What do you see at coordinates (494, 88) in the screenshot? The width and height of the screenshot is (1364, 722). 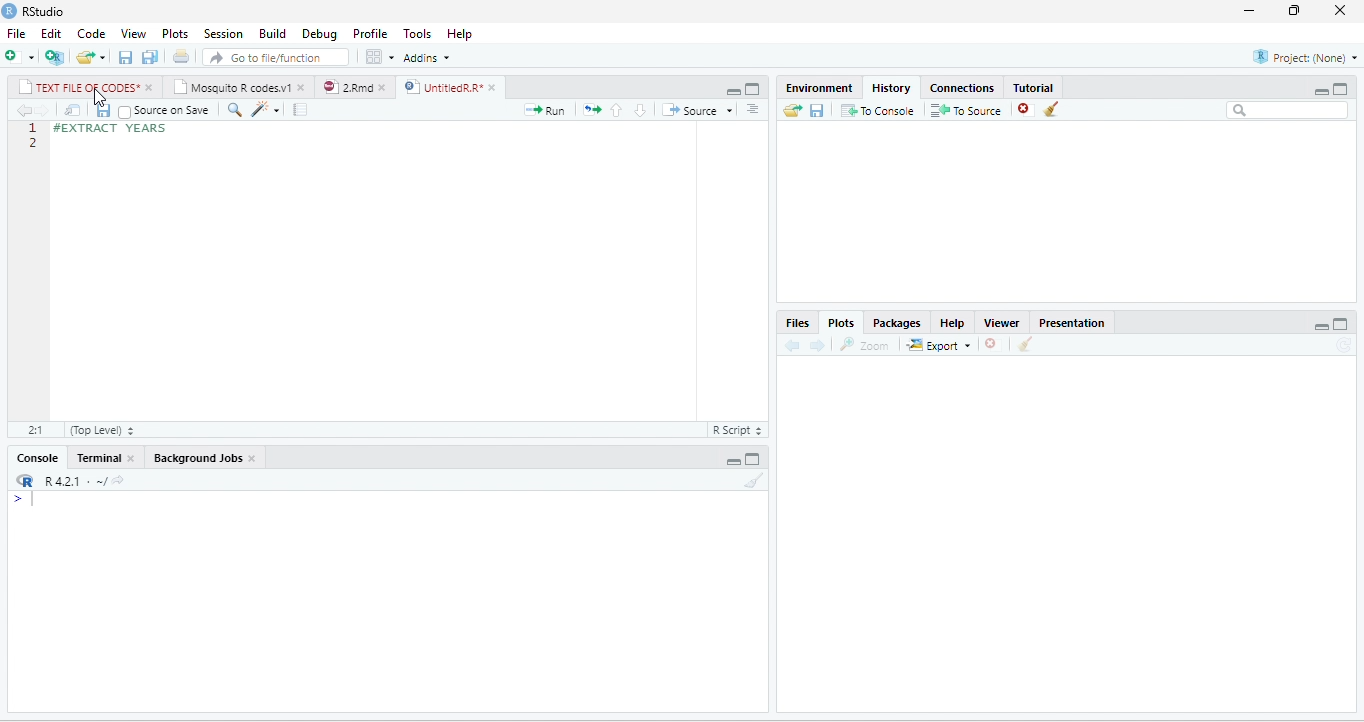 I see `close` at bounding box center [494, 88].